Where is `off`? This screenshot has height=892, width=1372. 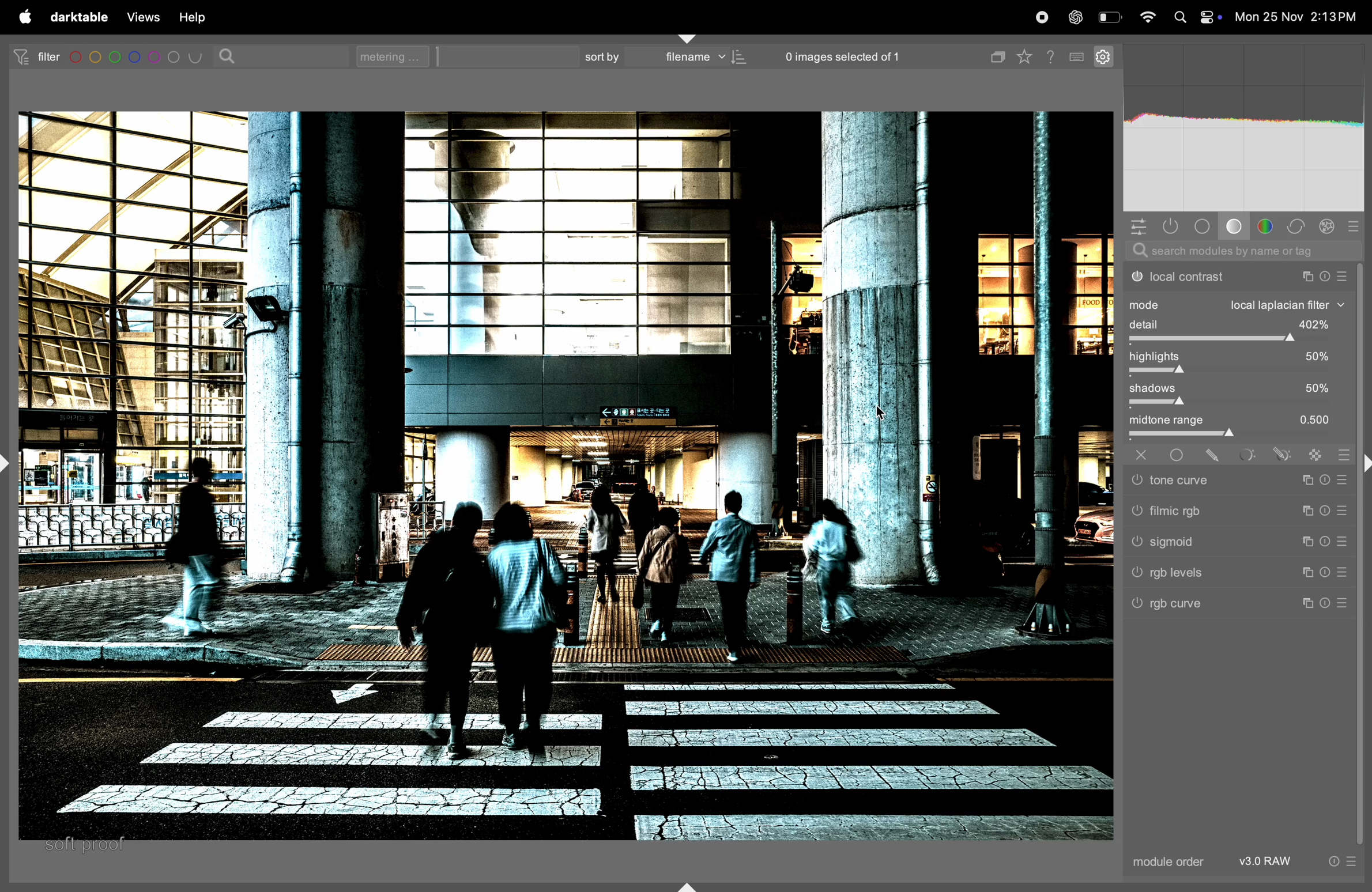
off is located at coordinates (1144, 455).